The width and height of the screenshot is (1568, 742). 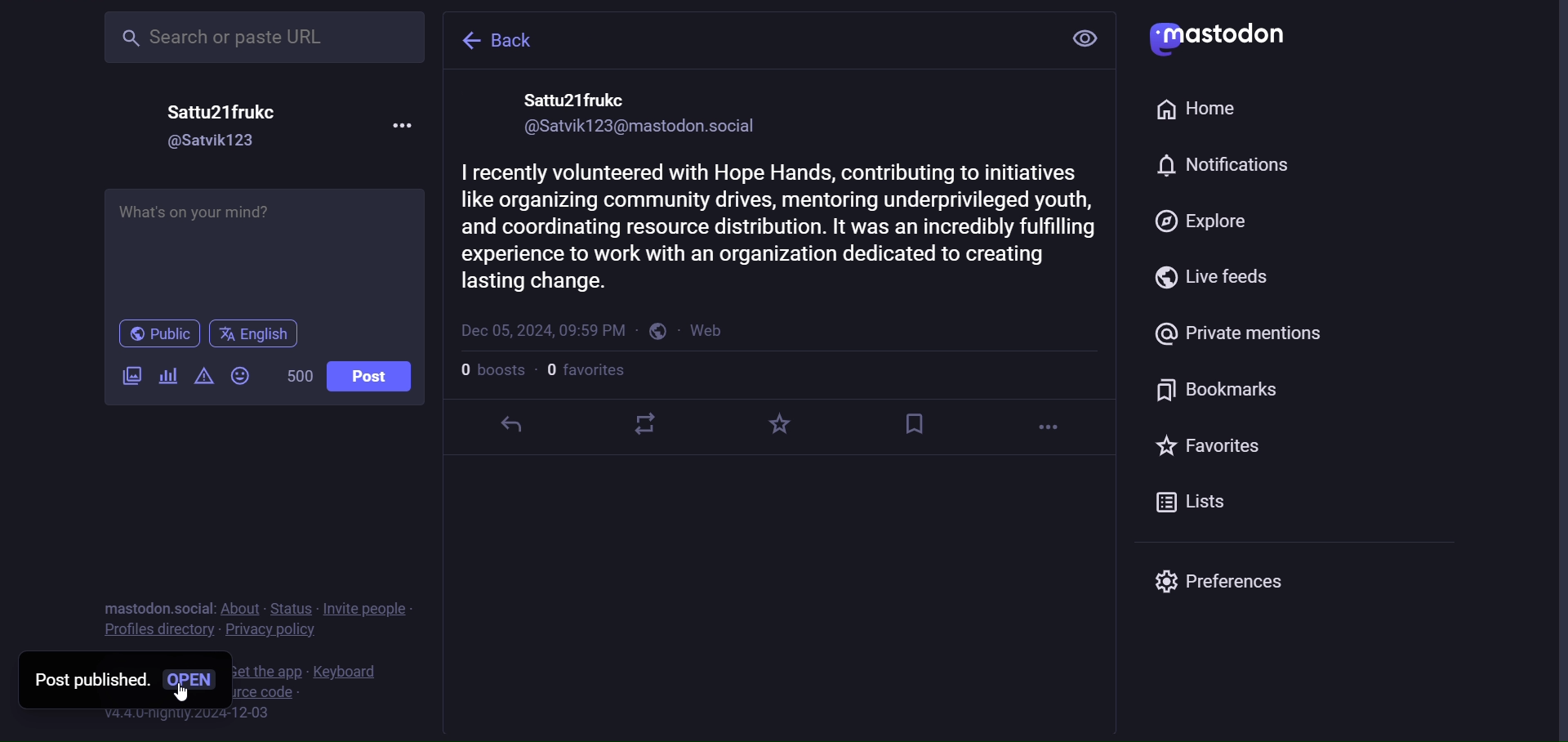 What do you see at coordinates (369, 376) in the screenshot?
I see `Post` at bounding box center [369, 376].